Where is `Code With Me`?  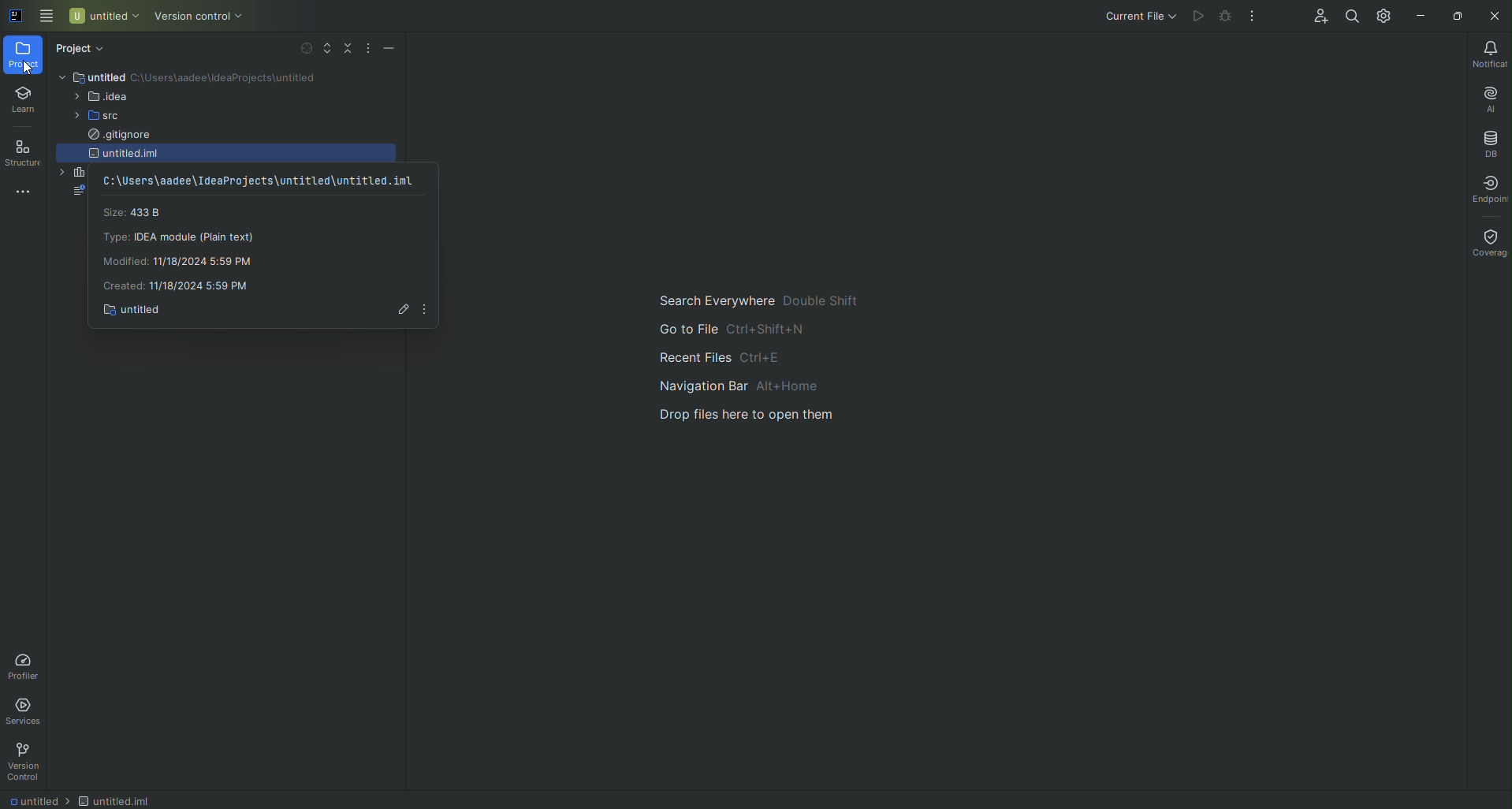
Code With Me is located at coordinates (1317, 18).